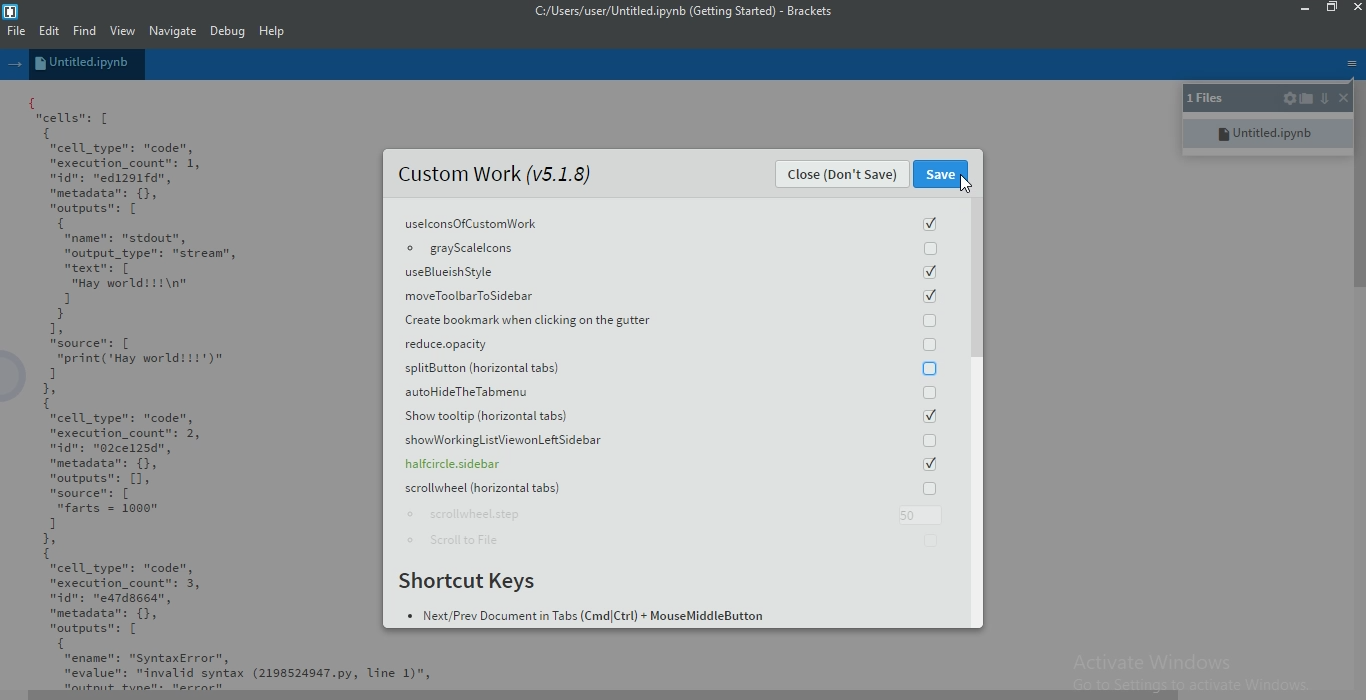 This screenshot has height=700, width=1366. What do you see at coordinates (676, 394) in the screenshot?
I see `autohideTheTabmenu` at bounding box center [676, 394].